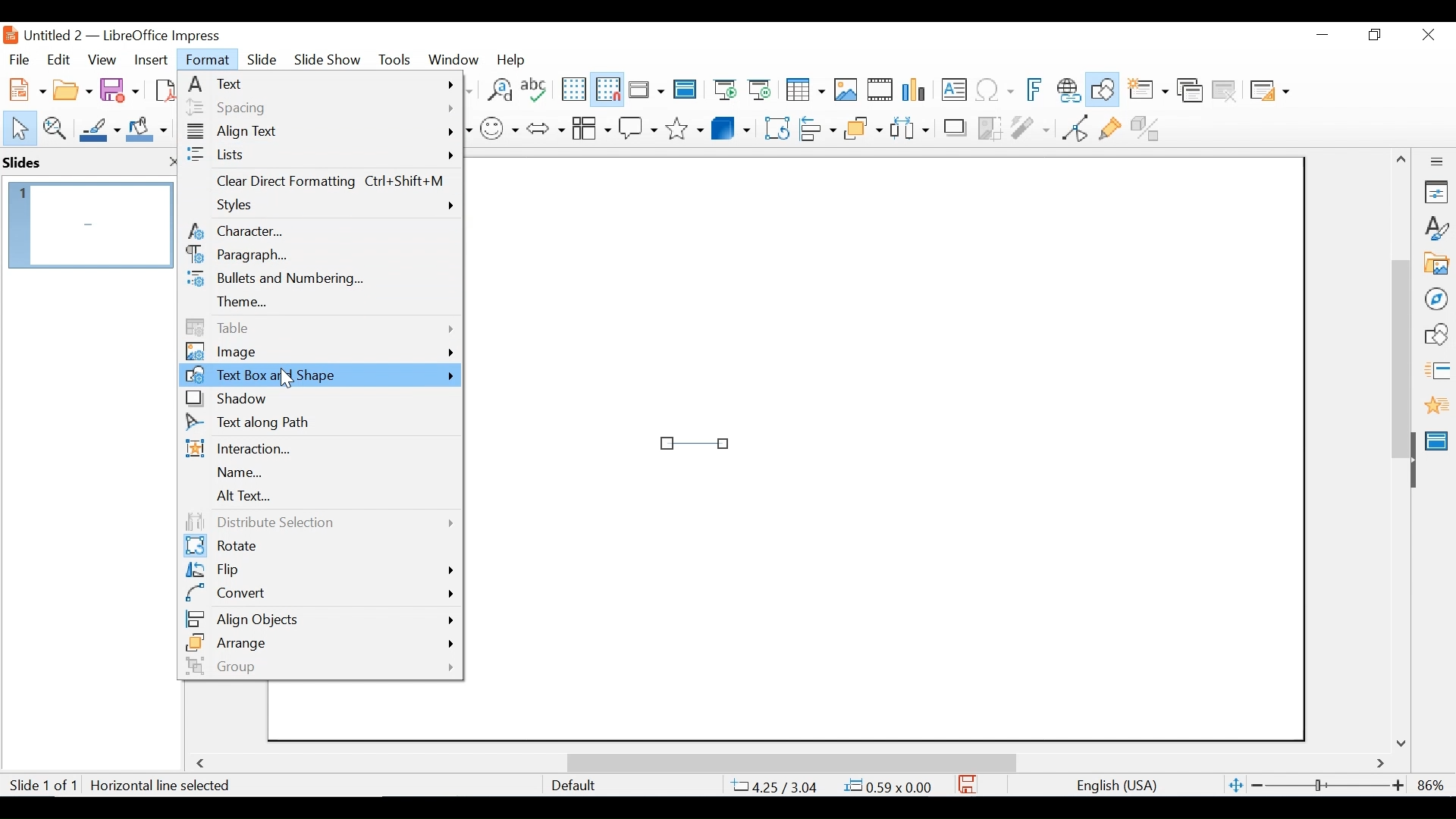 This screenshot has height=819, width=1456. I want to click on Callout, so click(638, 127).